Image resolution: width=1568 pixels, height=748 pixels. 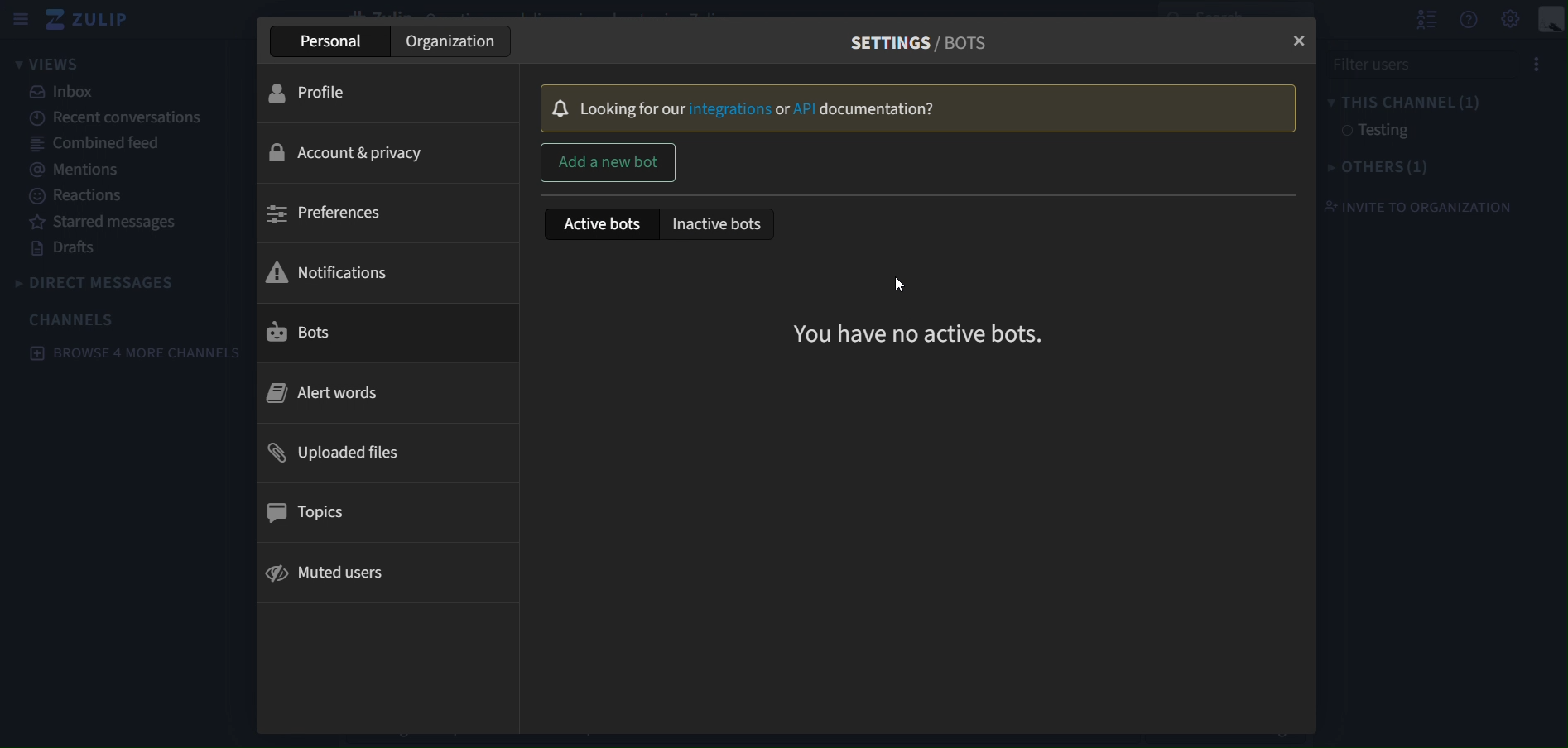 What do you see at coordinates (344, 569) in the screenshot?
I see `muted users` at bounding box center [344, 569].